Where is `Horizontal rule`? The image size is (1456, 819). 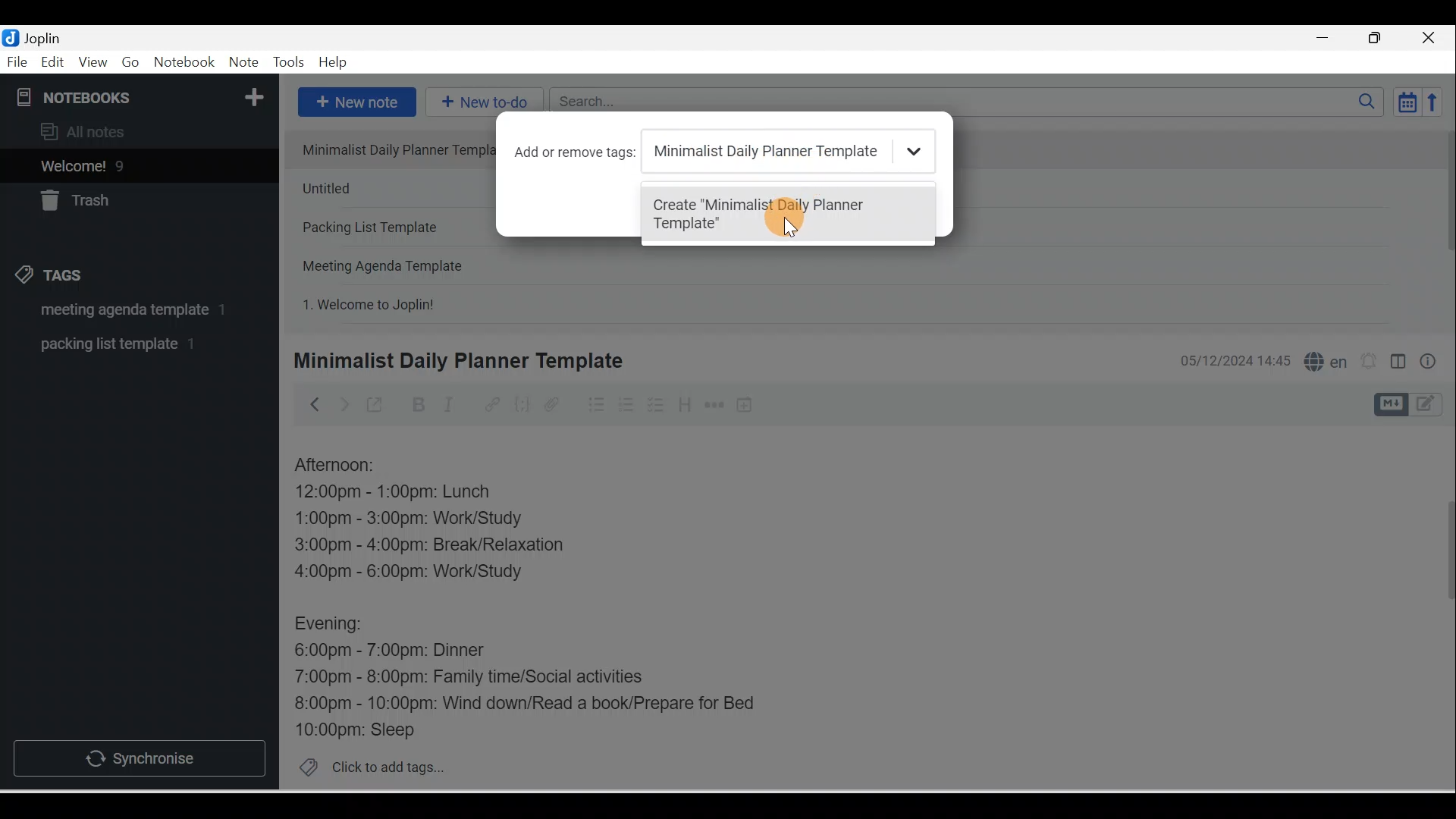 Horizontal rule is located at coordinates (716, 405).